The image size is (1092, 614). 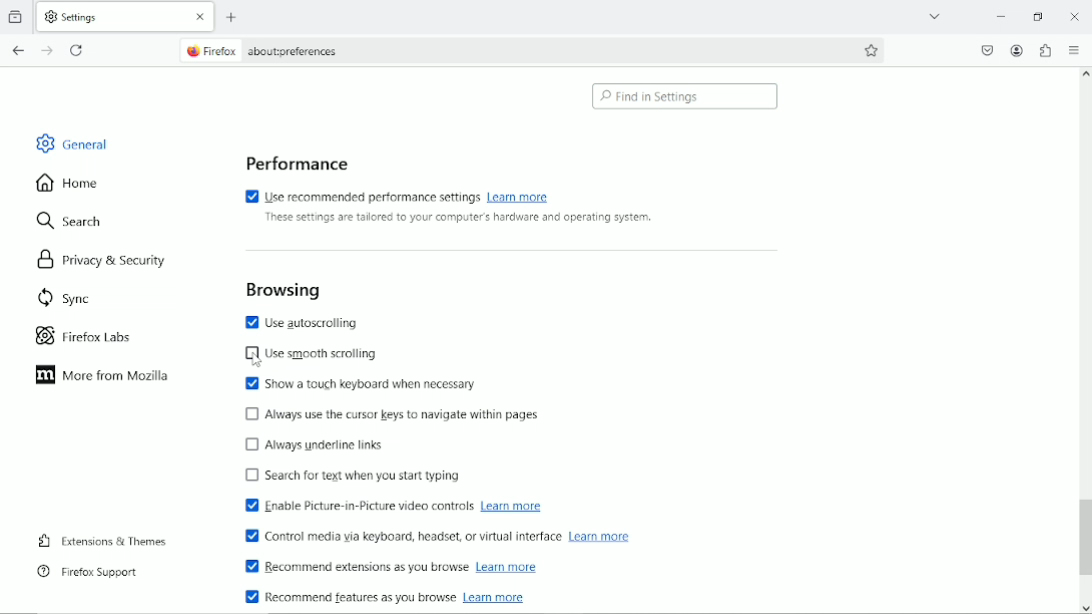 What do you see at coordinates (600, 536) in the screenshot?
I see `Learn more` at bounding box center [600, 536].